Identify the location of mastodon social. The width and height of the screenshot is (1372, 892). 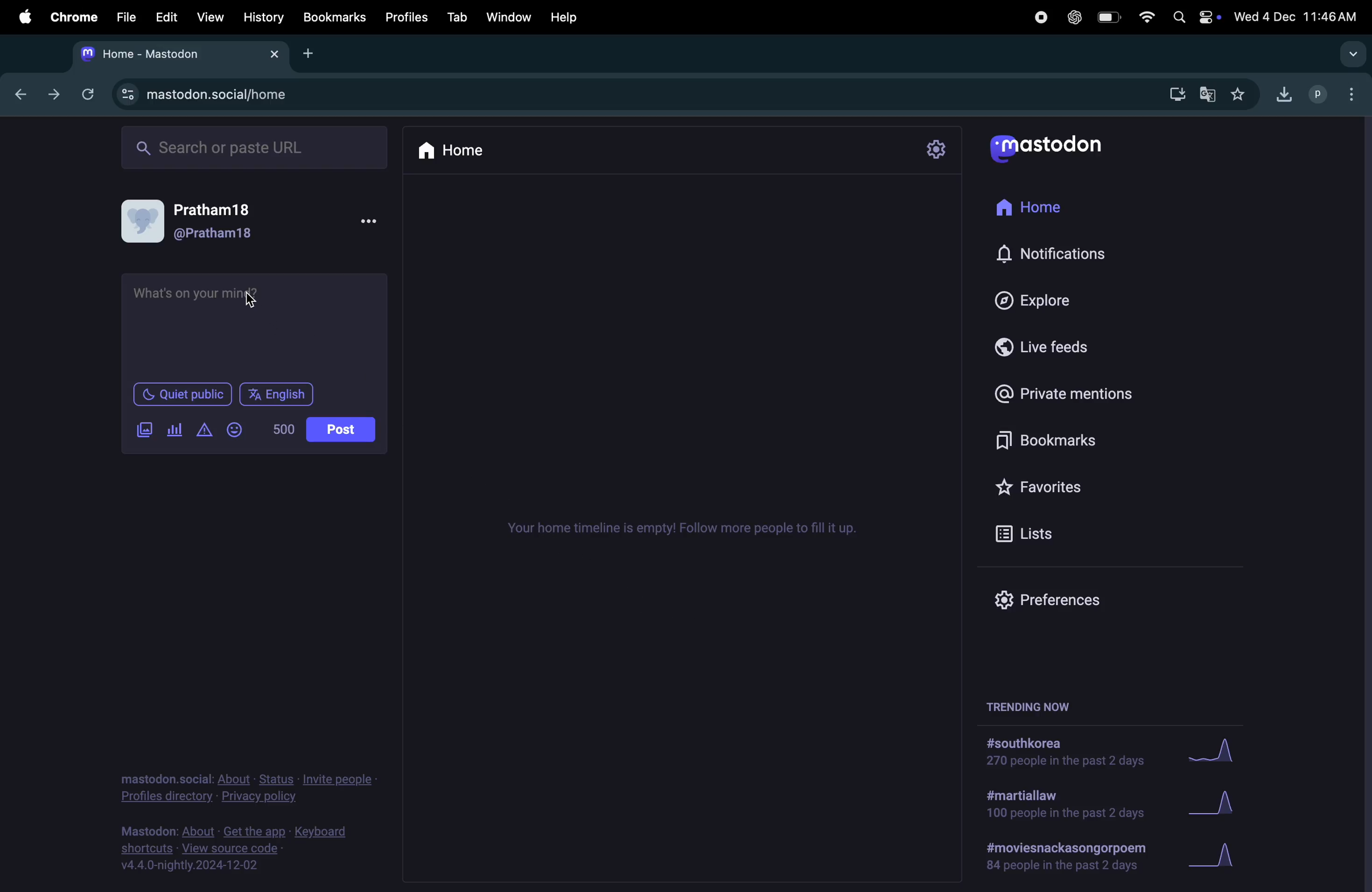
(214, 96).